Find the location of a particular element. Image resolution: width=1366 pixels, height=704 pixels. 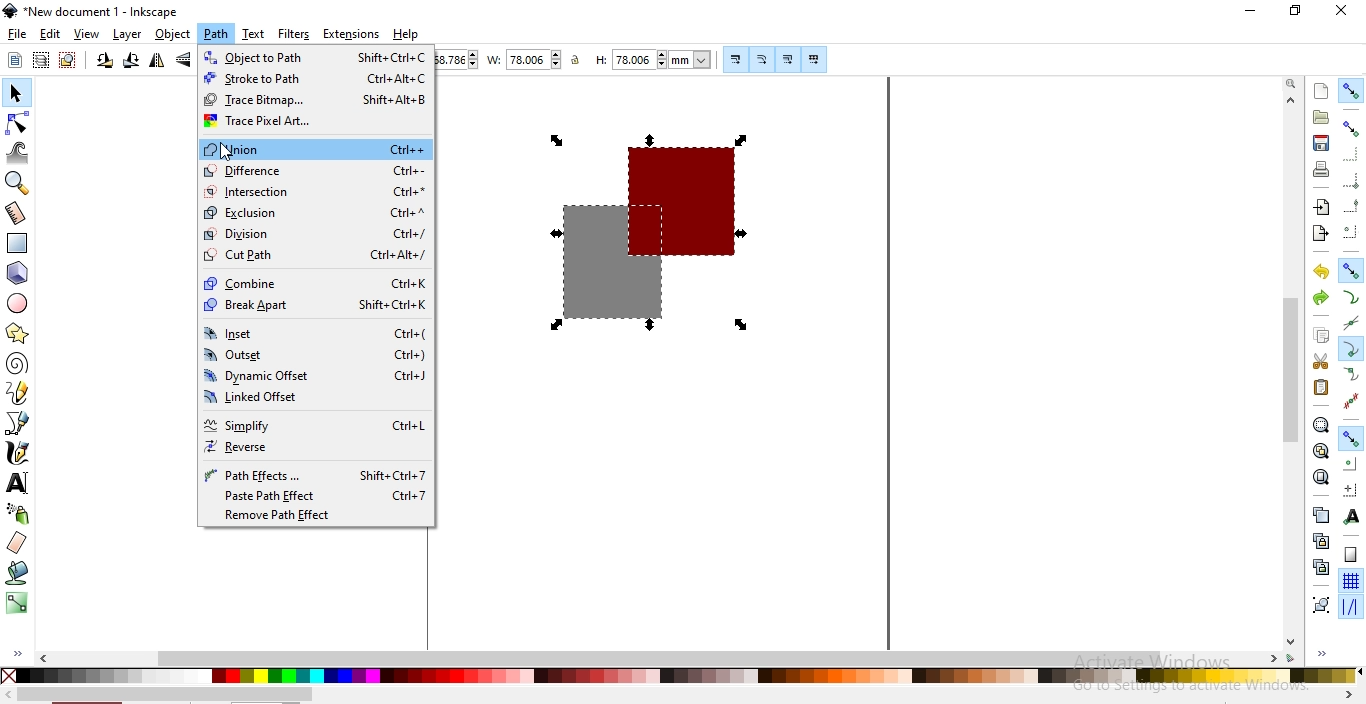

snap bounding box corners is located at coordinates (1350, 154).